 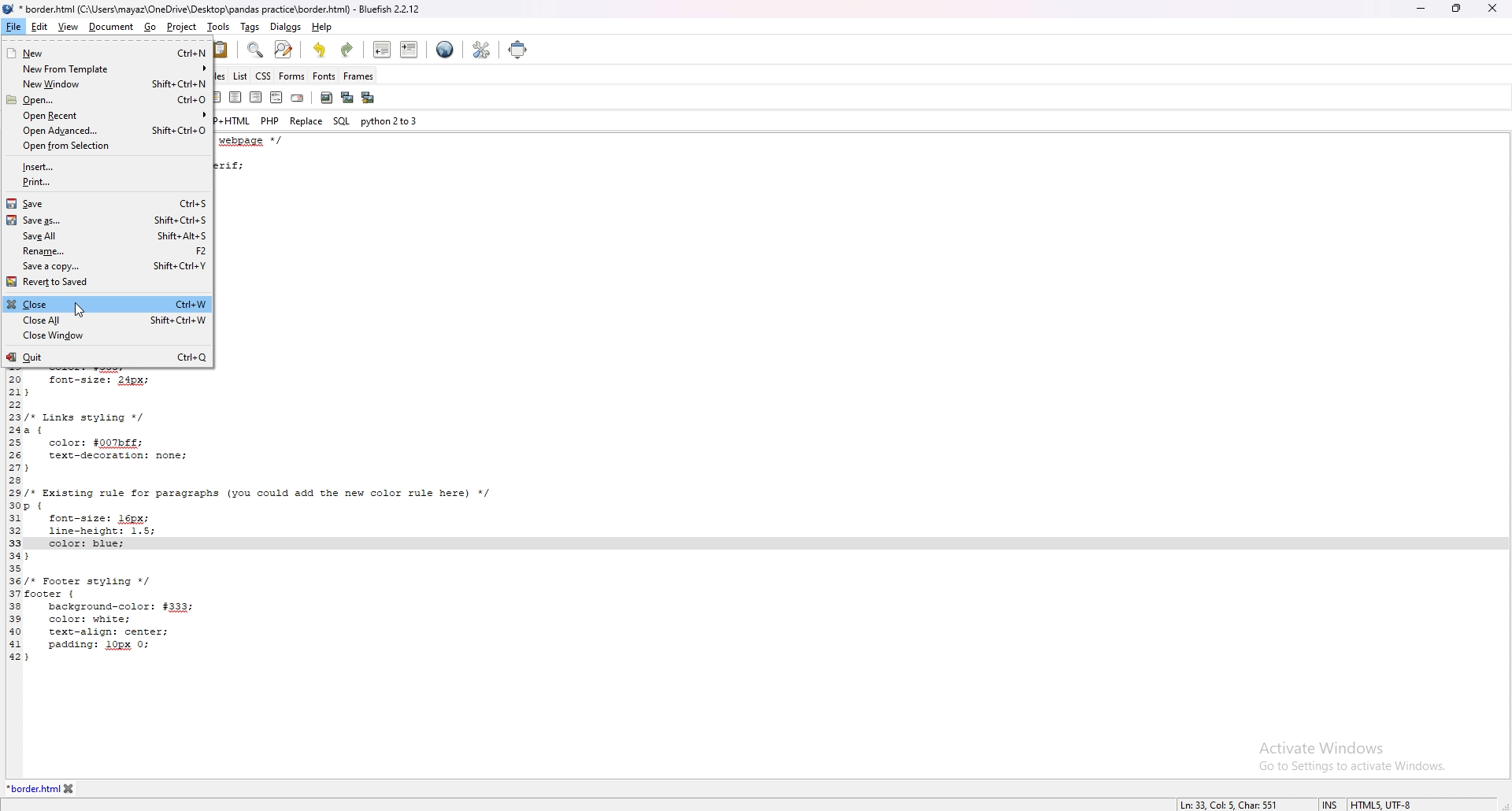 What do you see at coordinates (108, 146) in the screenshot?
I see `open from selection` at bounding box center [108, 146].